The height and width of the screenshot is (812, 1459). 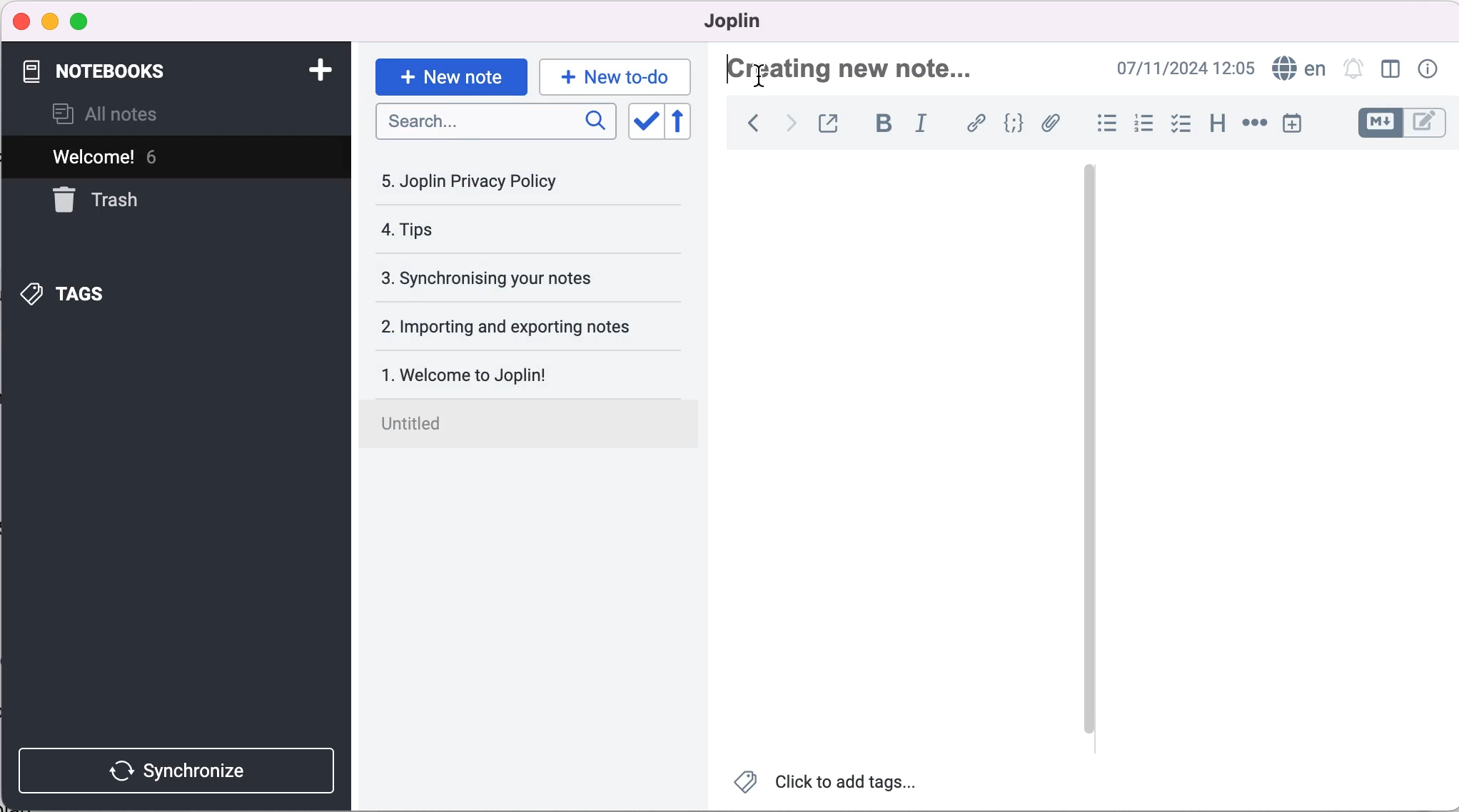 I want to click on new note, so click(x=450, y=71).